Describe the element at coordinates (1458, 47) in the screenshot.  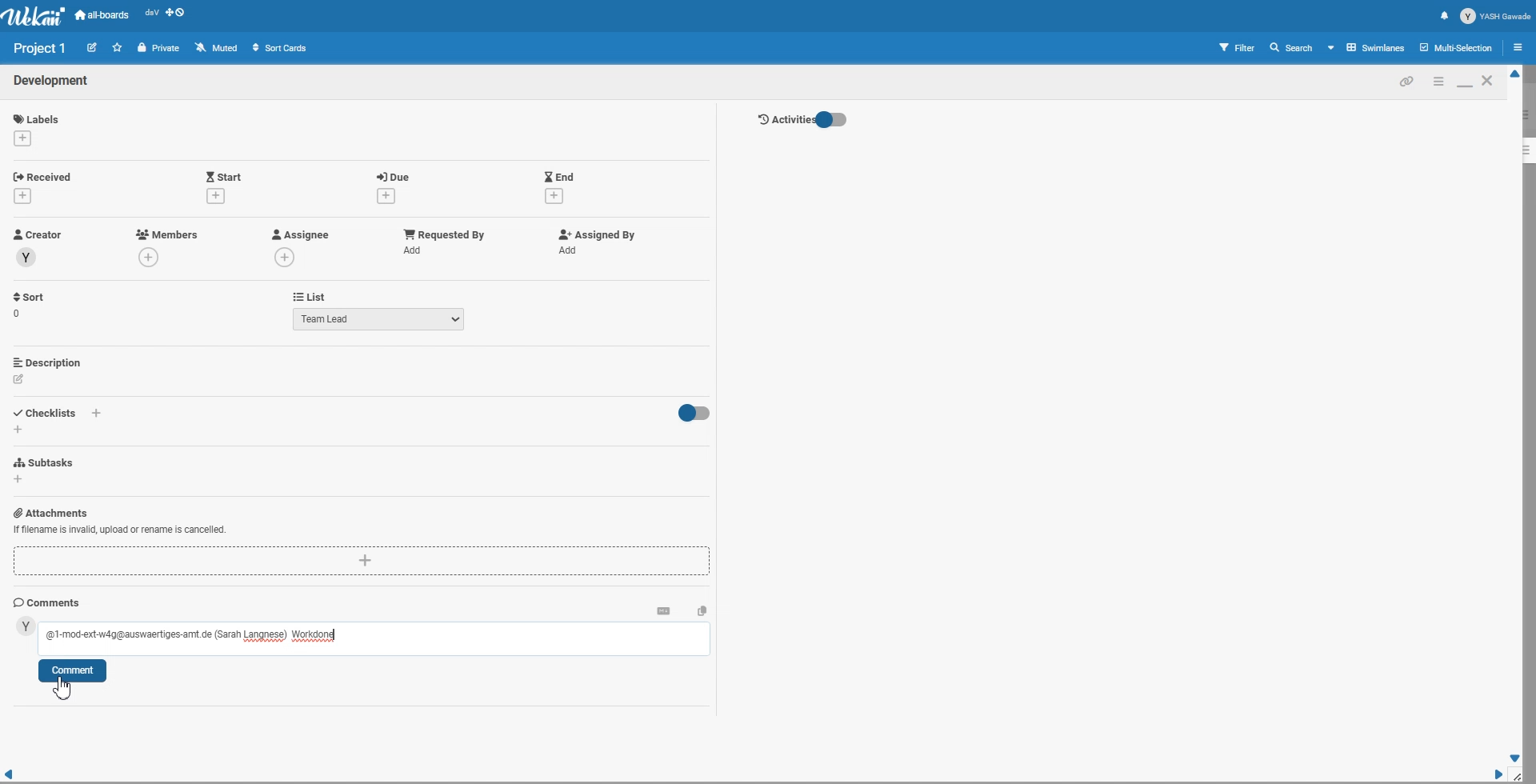
I see `Multi section` at that location.